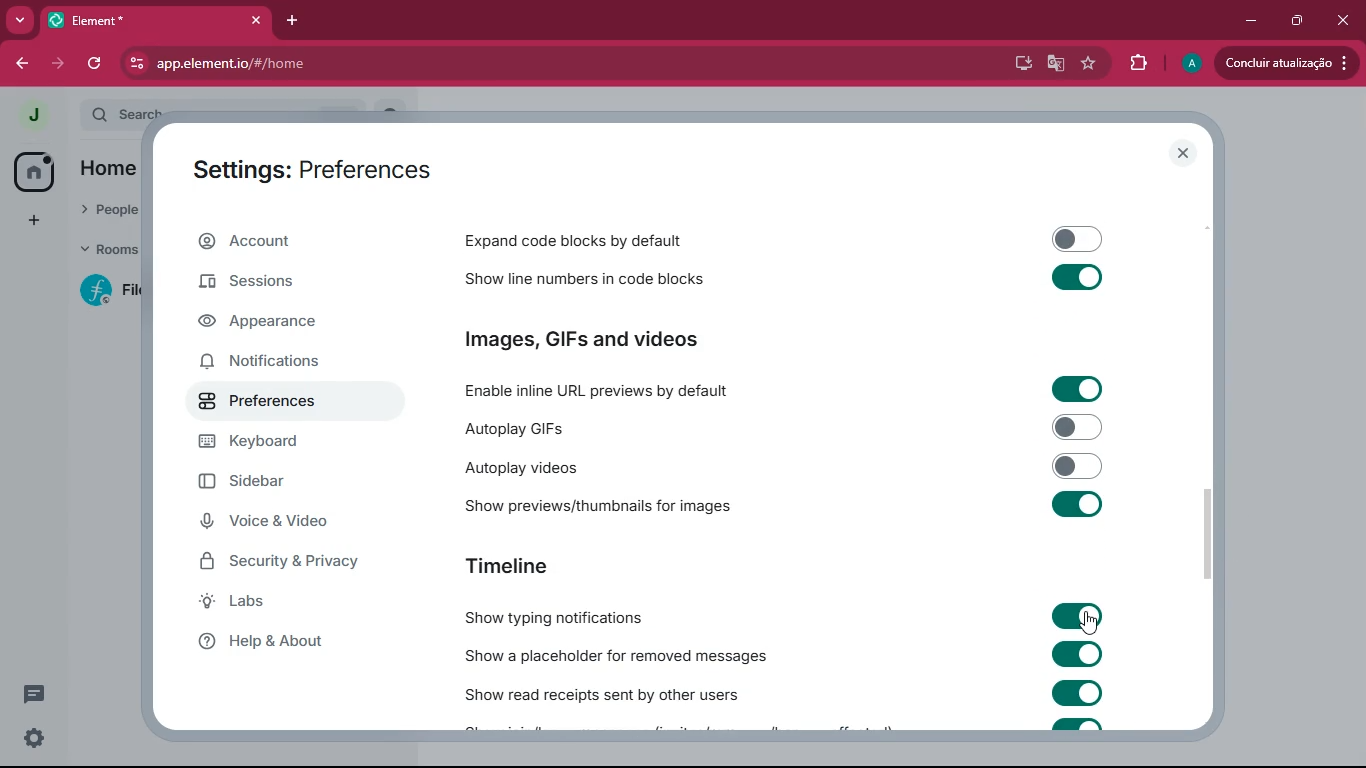  What do you see at coordinates (604, 425) in the screenshot?
I see `autoplay GIFs` at bounding box center [604, 425].